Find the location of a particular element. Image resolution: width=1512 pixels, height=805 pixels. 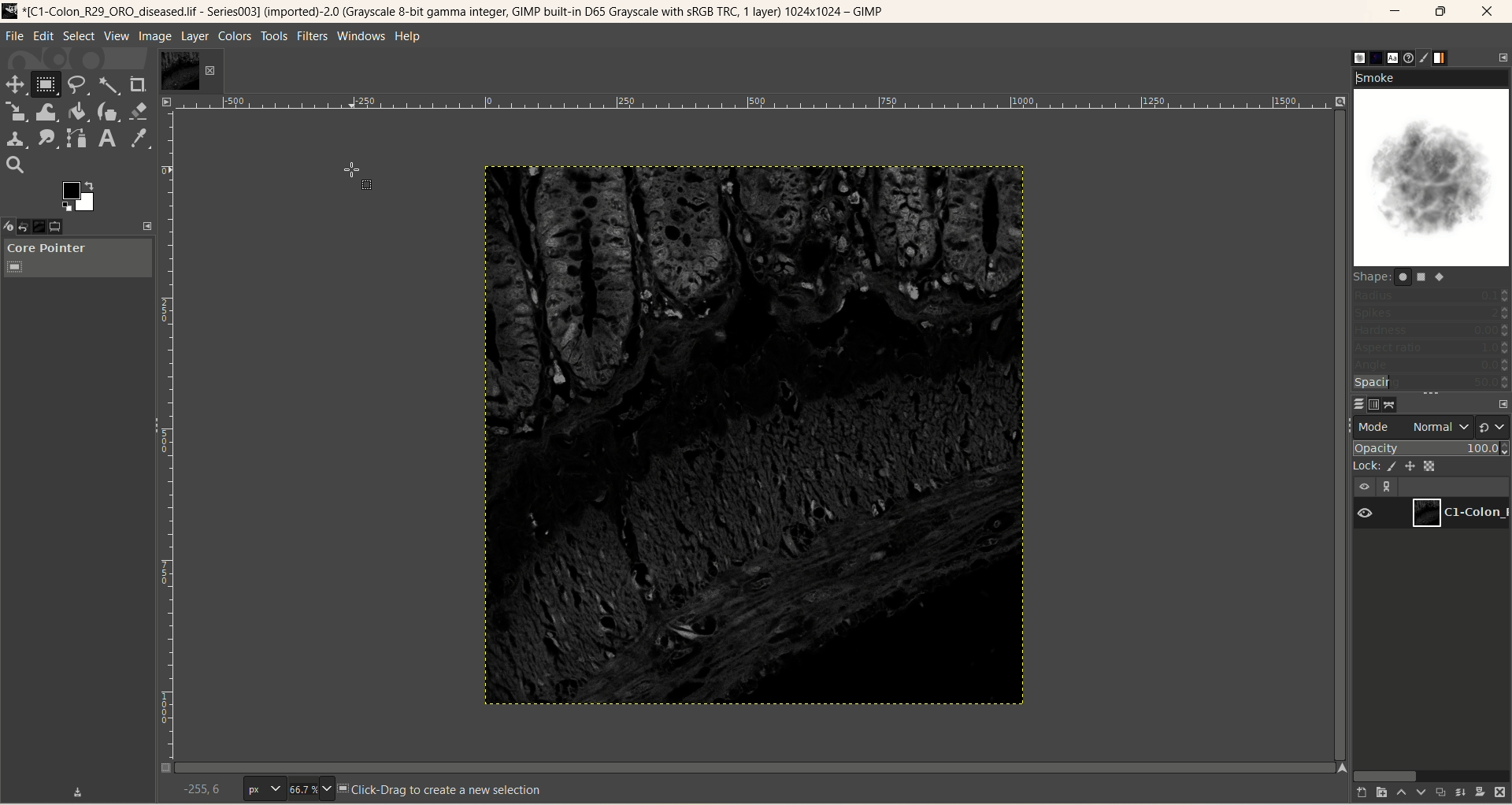

scale bar is located at coordinates (171, 440).